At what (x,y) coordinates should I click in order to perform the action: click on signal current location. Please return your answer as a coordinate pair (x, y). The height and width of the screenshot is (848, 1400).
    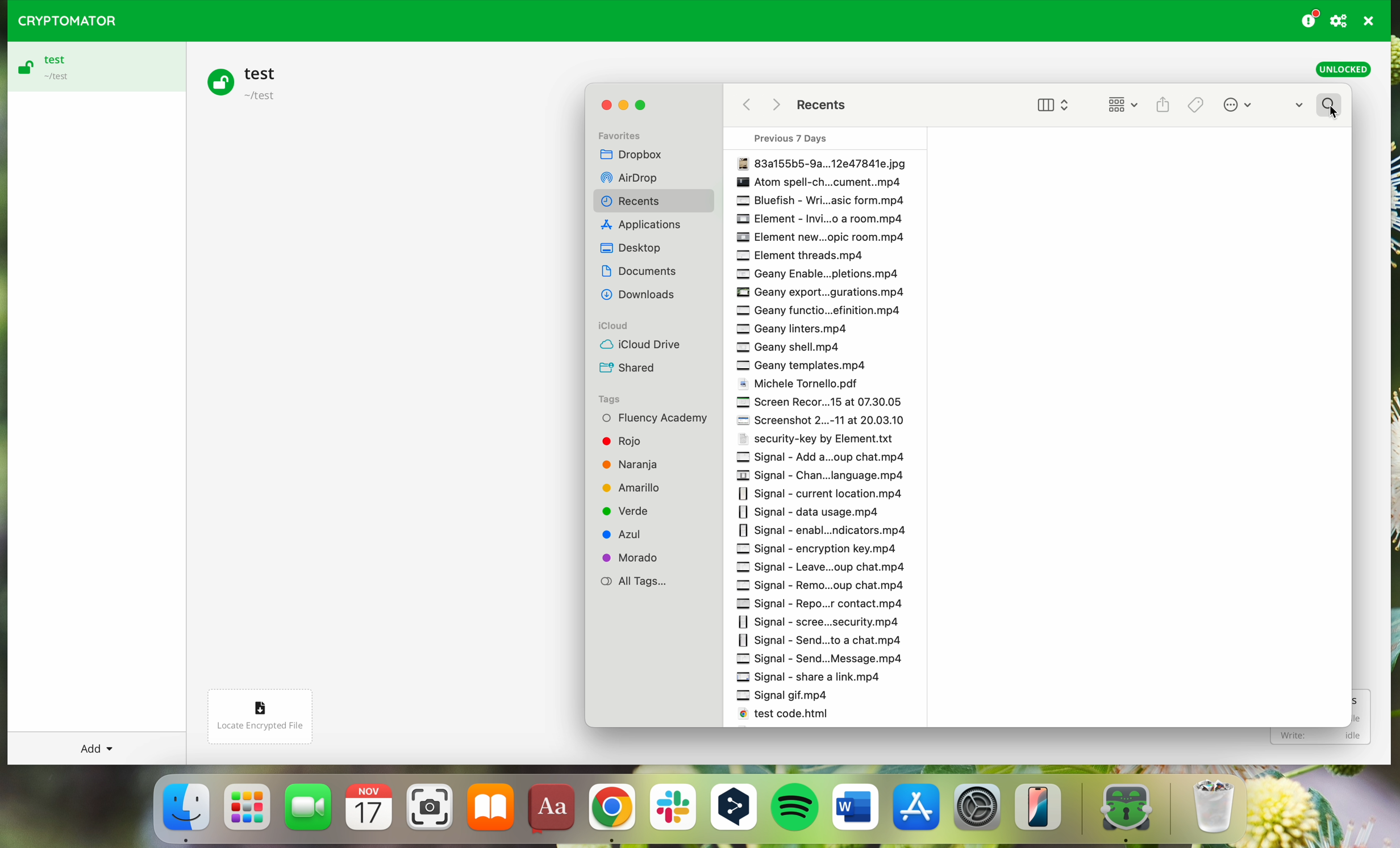
    Looking at the image, I should click on (822, 492).